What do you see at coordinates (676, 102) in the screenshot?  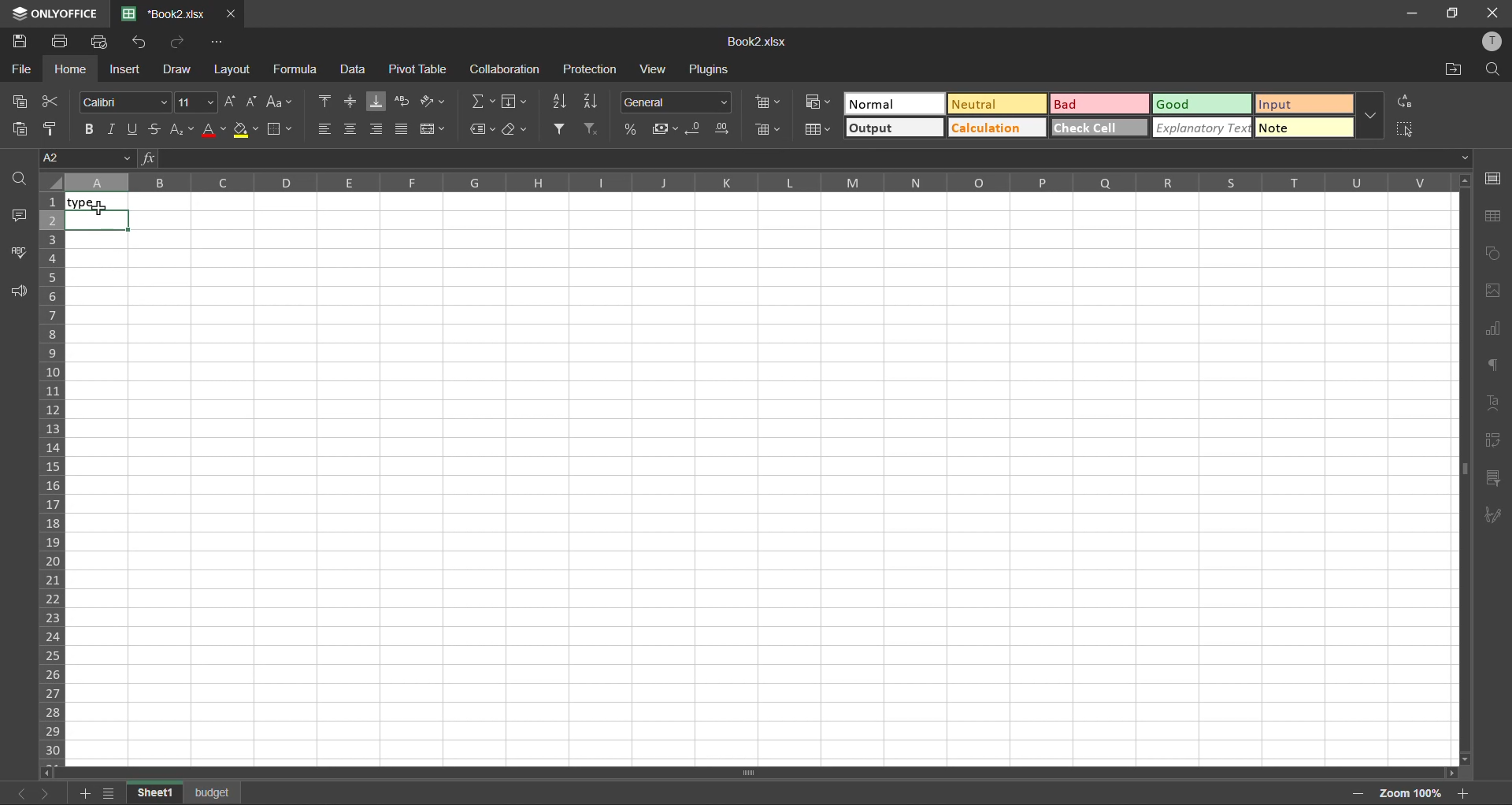 I see `number format` at bounding box center [676, 102].